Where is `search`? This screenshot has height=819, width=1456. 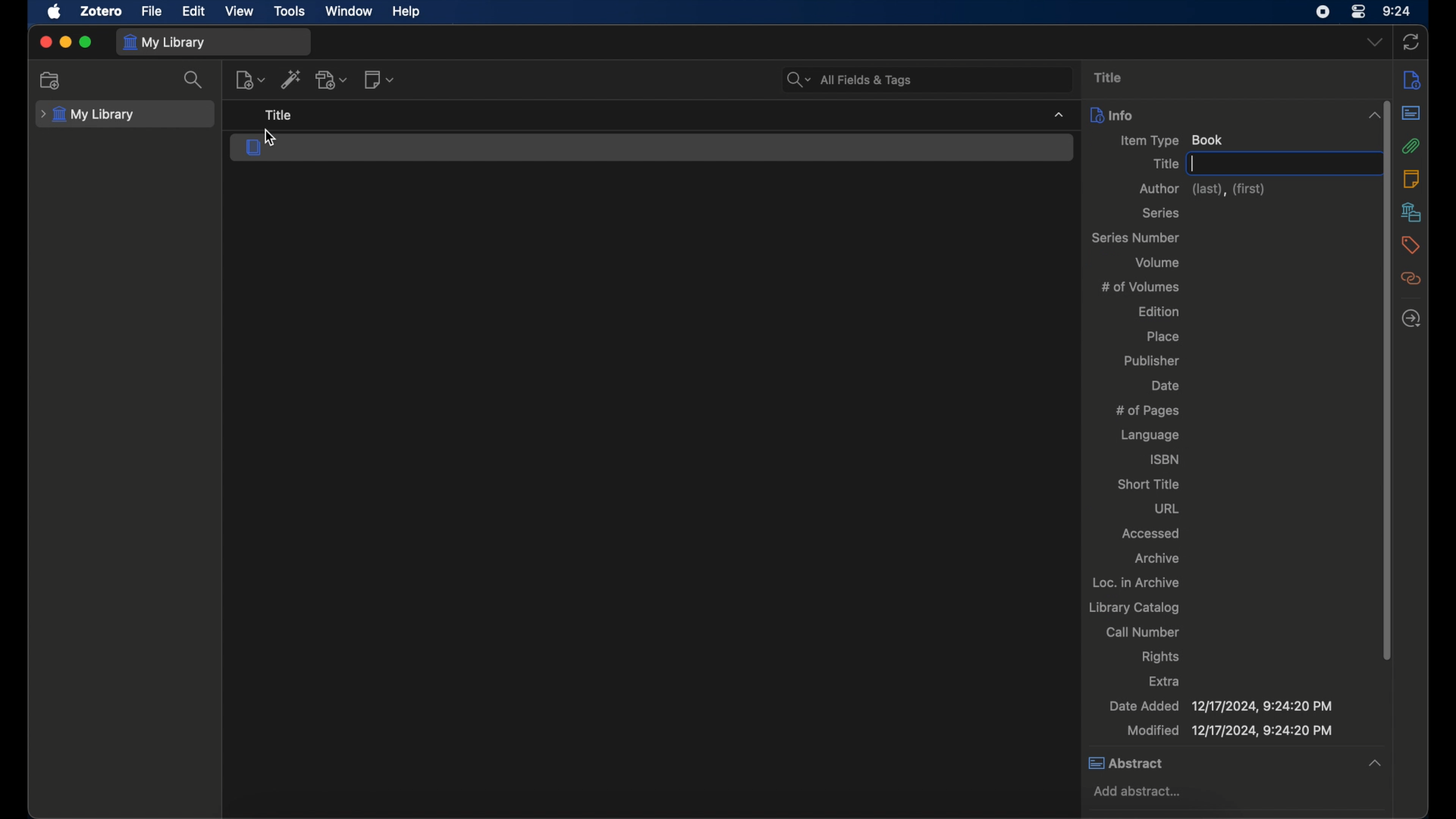
search is located at coordinates (195, 80).